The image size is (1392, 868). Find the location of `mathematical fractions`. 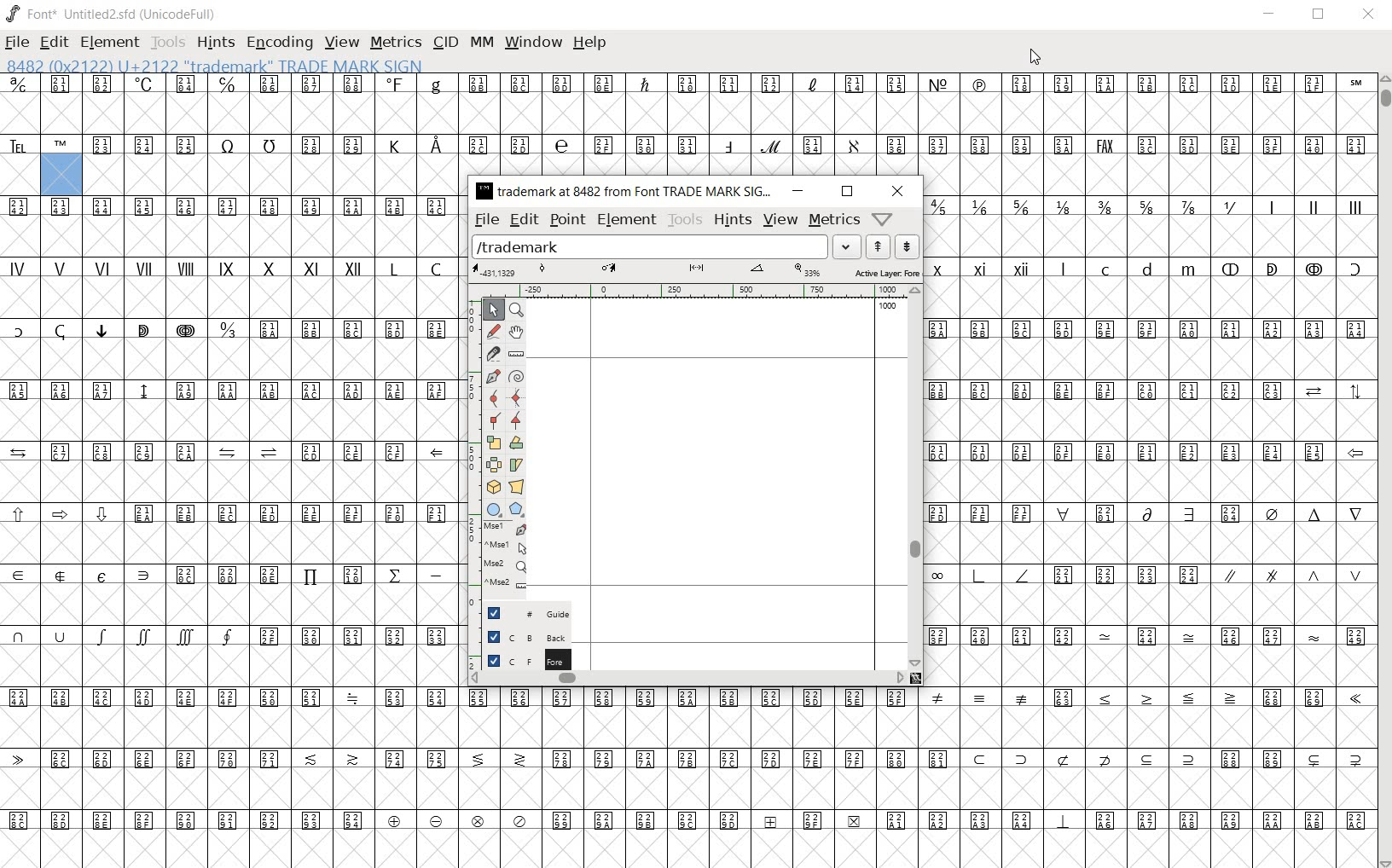

mathematical fractions is located at coordinates (1085, 223).